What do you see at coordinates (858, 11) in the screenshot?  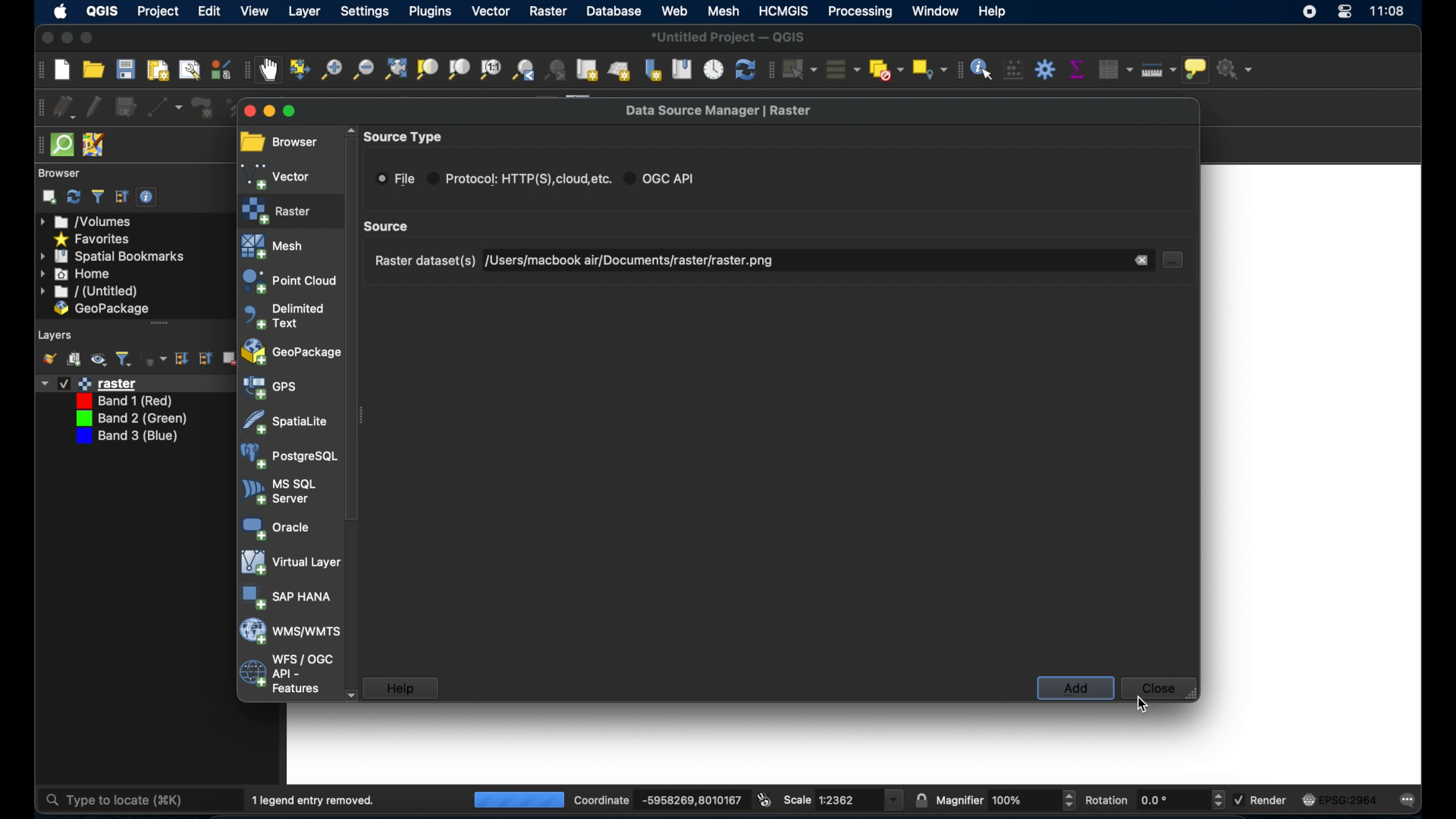 I see `processing` at bounding box center [858, 11].